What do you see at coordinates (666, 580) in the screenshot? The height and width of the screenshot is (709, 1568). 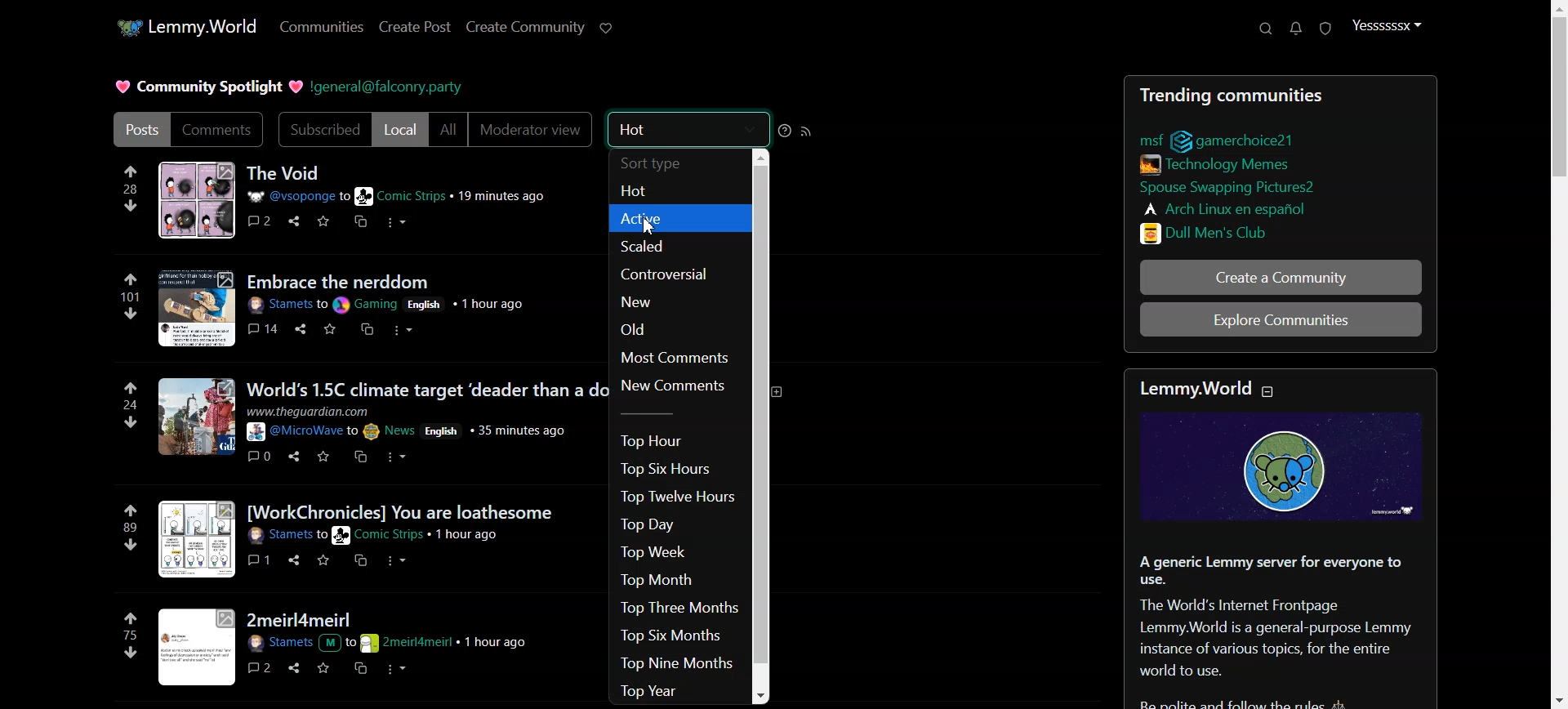 I see `Top Month` at bounding box center [666, 580].